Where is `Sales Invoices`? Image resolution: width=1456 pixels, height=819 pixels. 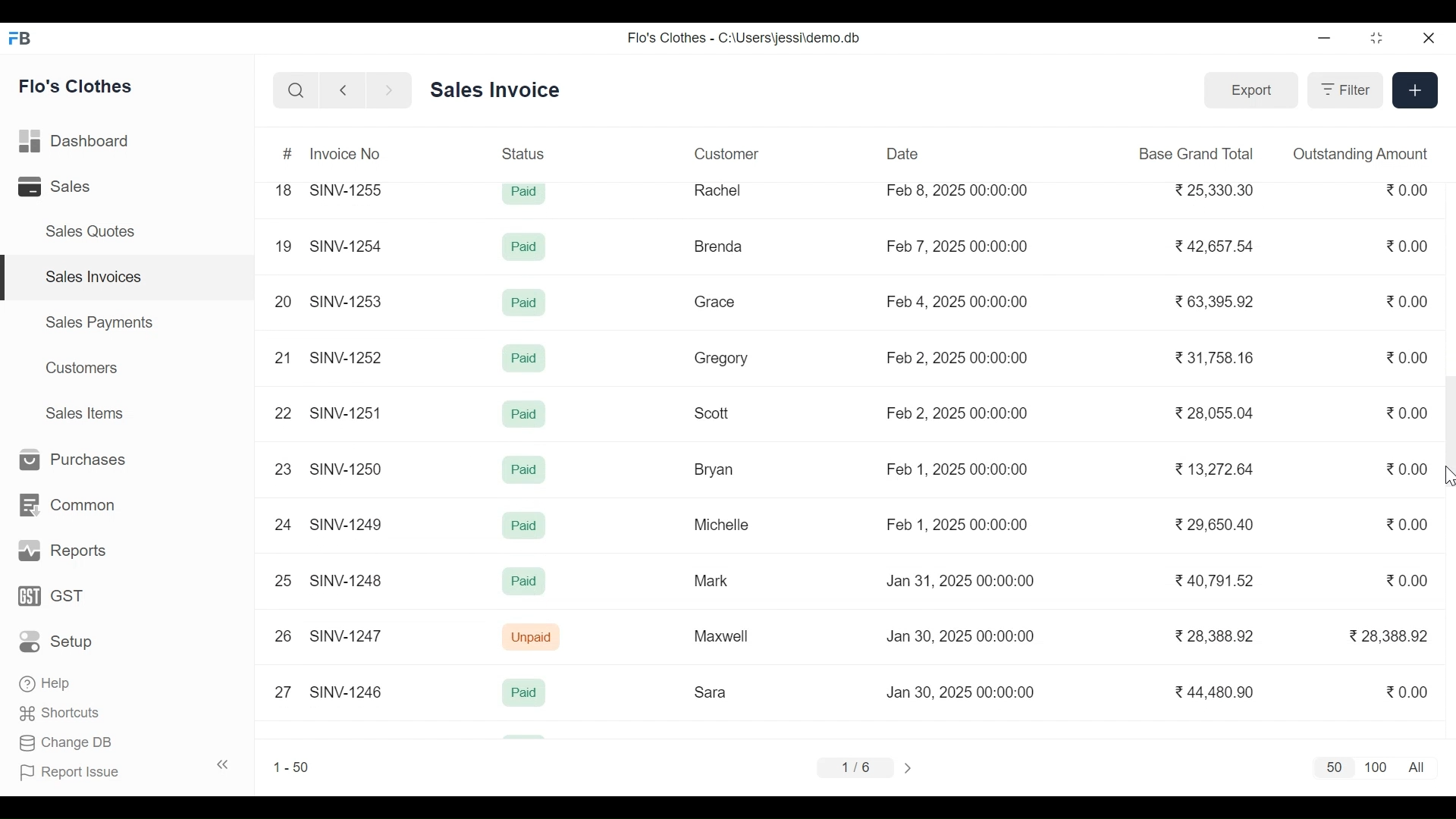
Sales Invoices is located at coordinates (129, 278).